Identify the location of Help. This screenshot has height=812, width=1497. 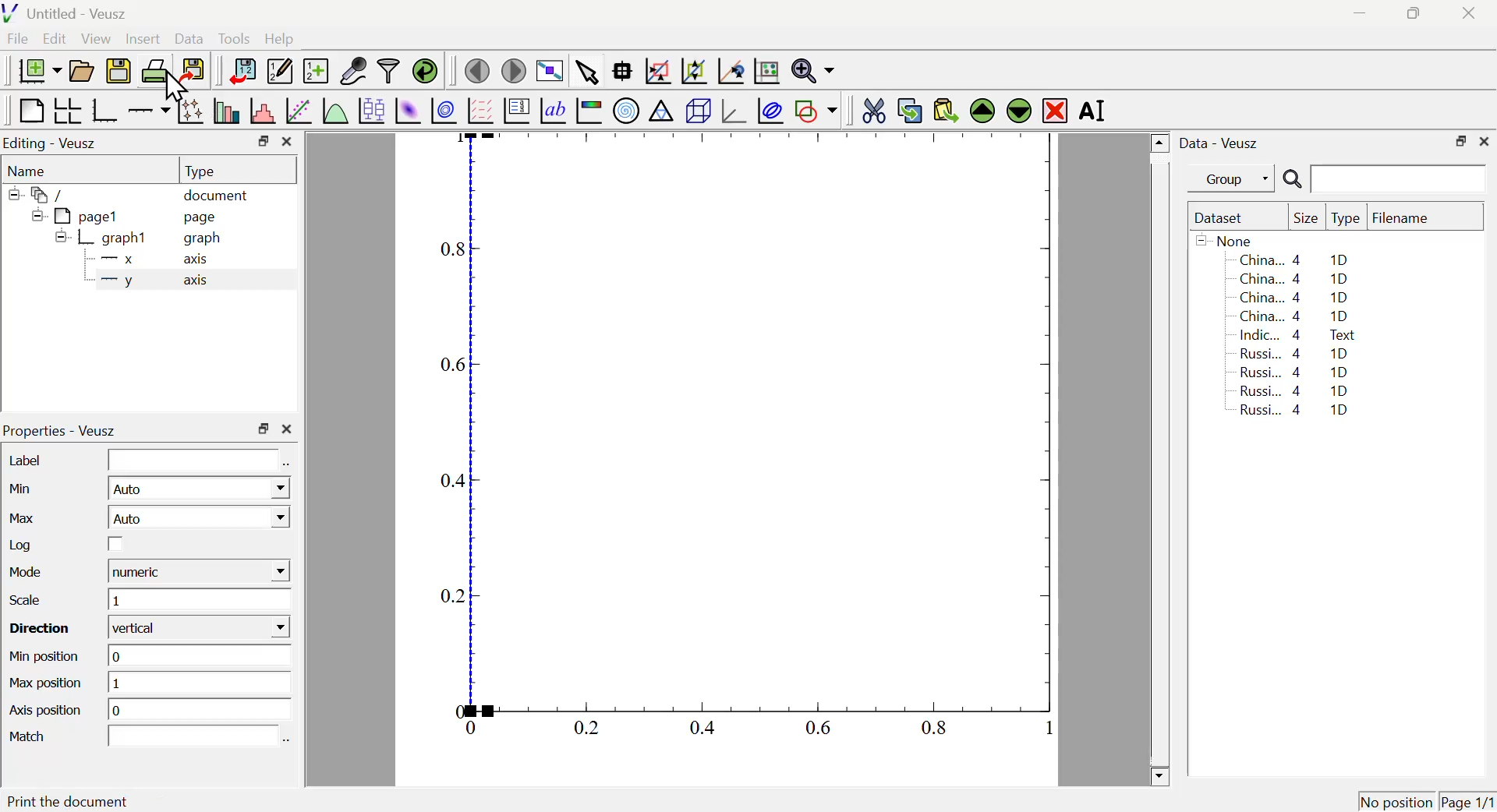
(280, 39).